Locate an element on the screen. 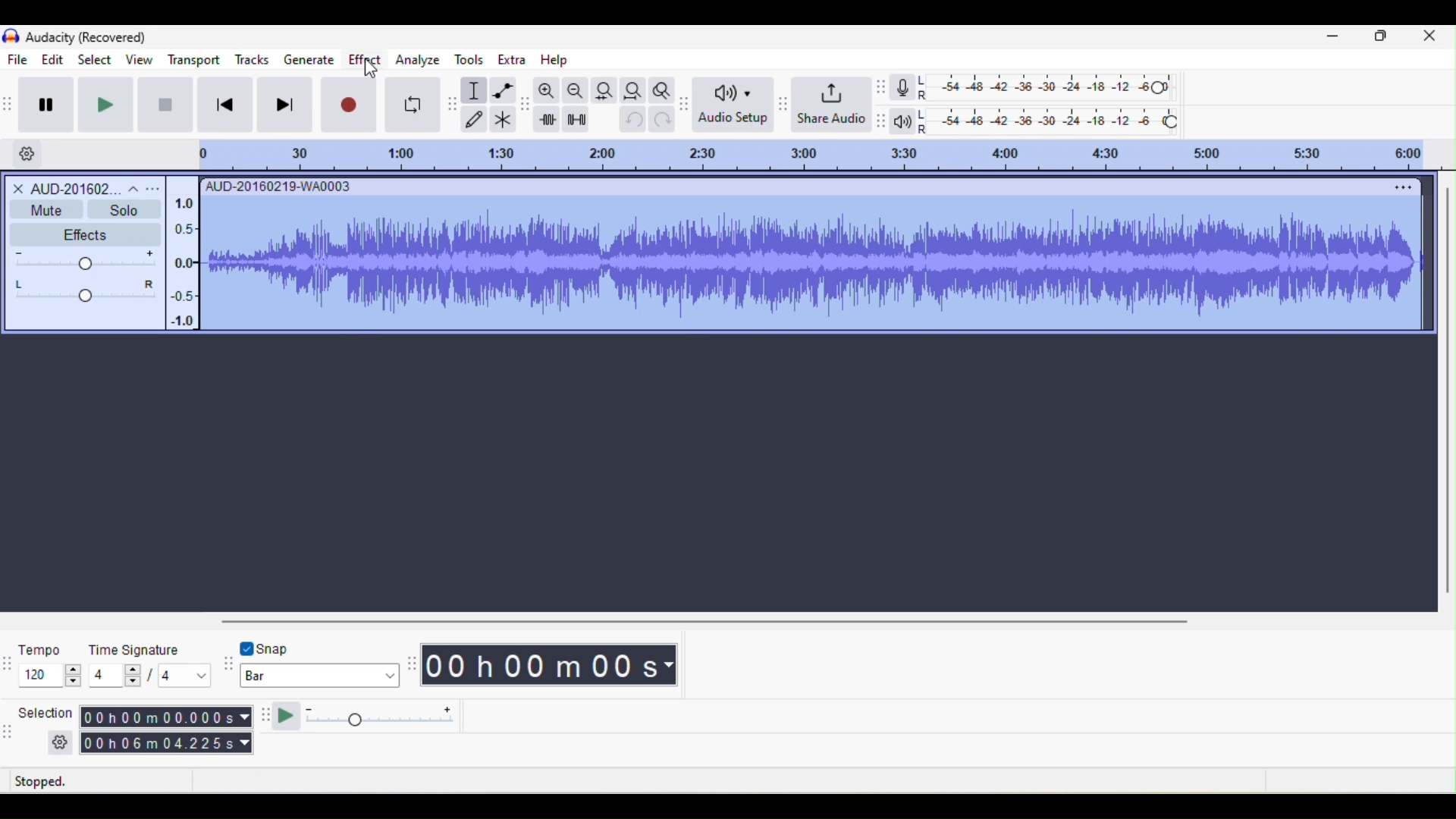 The width and height of the screenshot is (1456, 819). minimize is located at coordinates (1335, 39).